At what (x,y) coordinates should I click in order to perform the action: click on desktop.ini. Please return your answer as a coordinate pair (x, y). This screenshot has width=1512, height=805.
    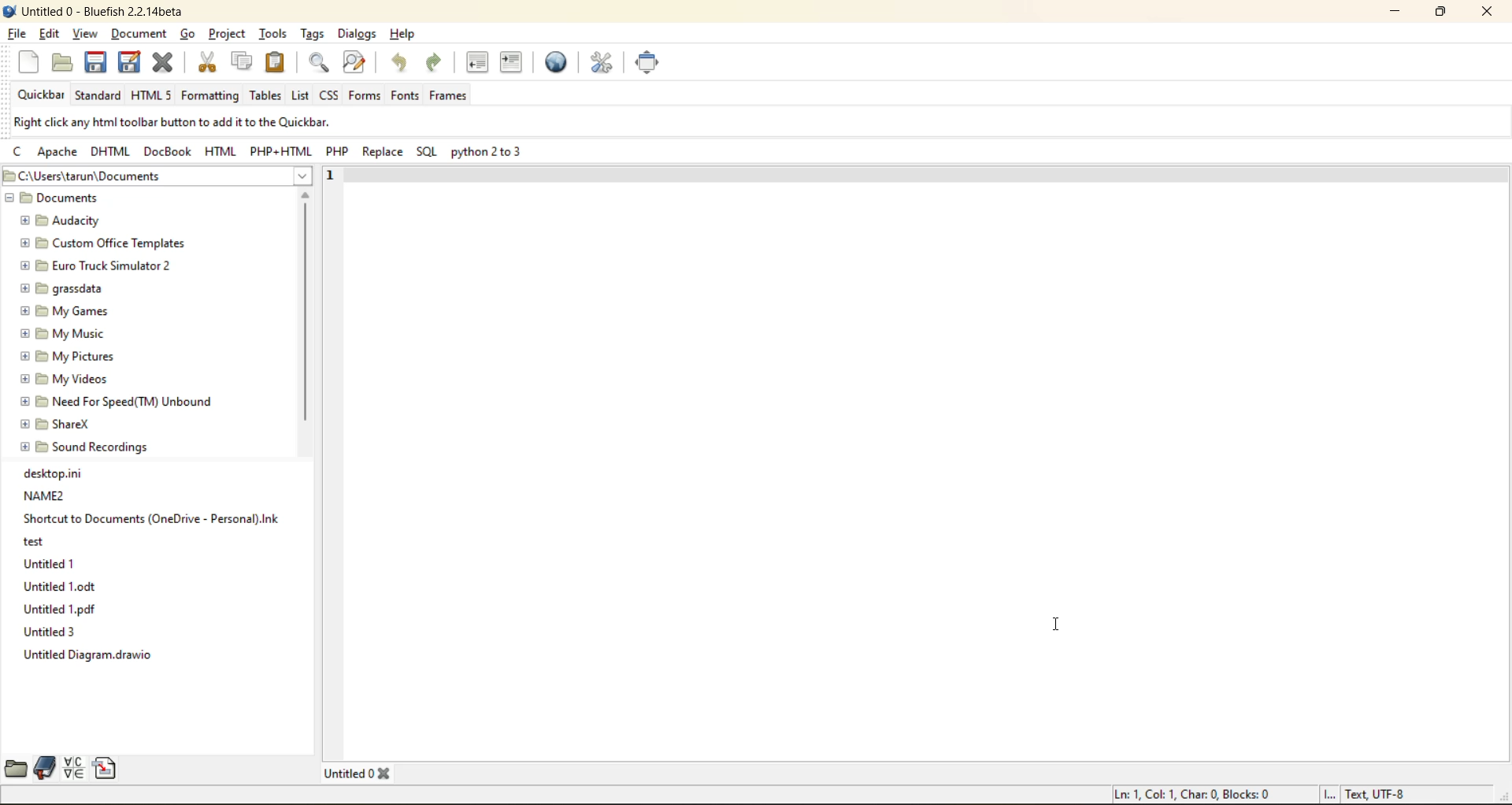
    Looking at the image, I should click on (57, 473).